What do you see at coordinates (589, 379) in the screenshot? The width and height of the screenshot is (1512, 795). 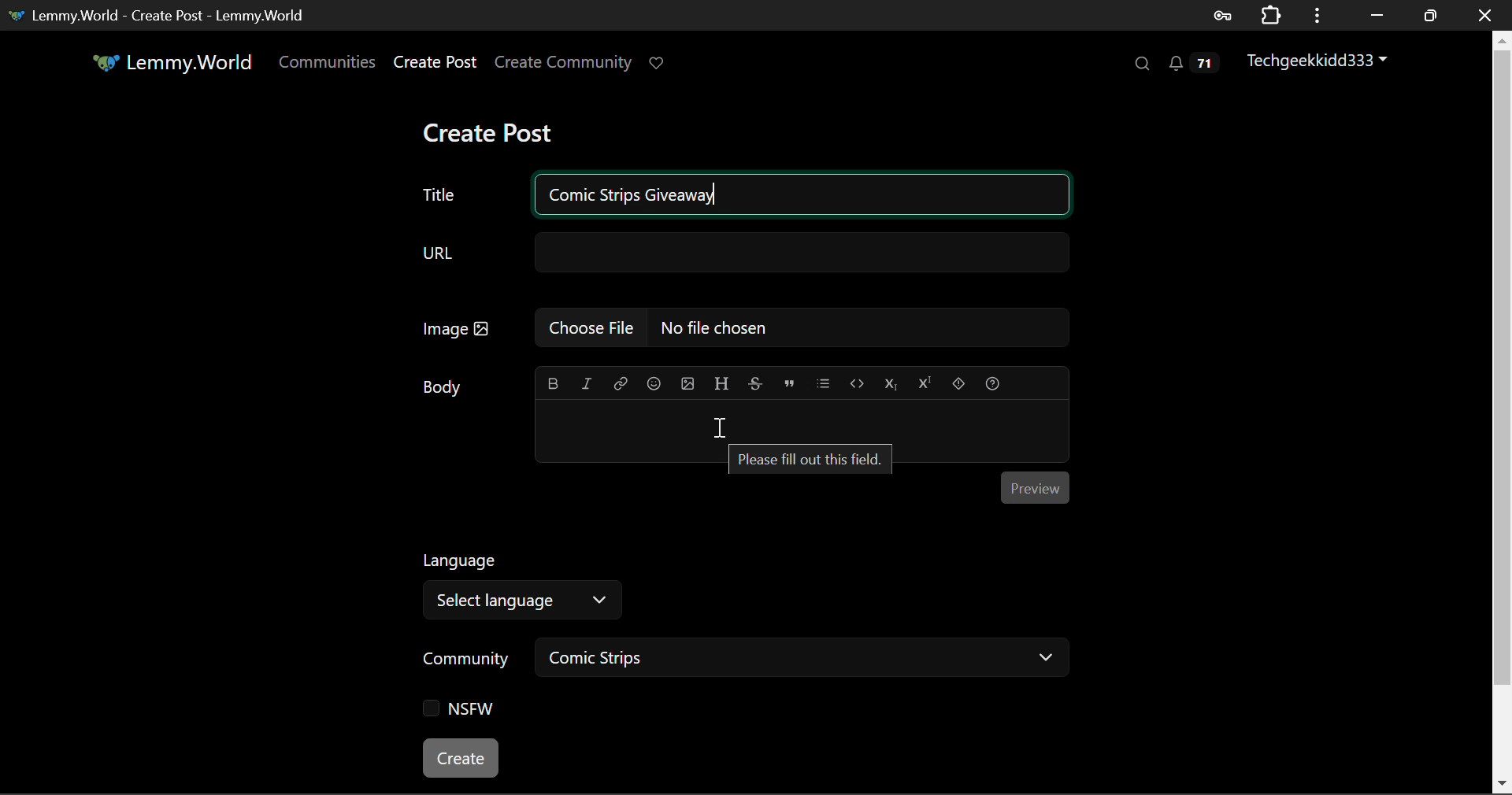 I see `italic` at bounding box center [589, 379].